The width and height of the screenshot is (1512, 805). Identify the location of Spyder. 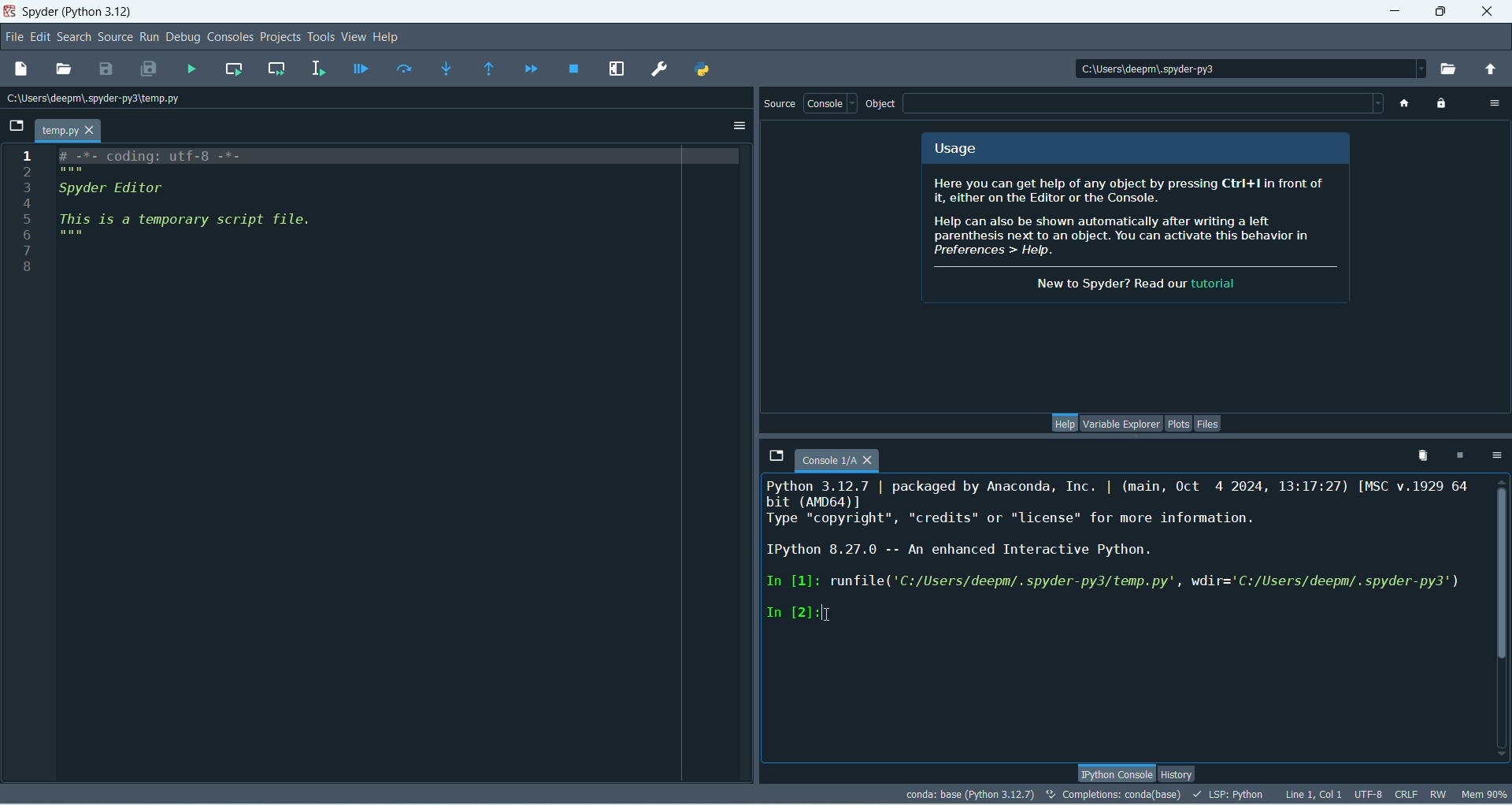
(83, 13).